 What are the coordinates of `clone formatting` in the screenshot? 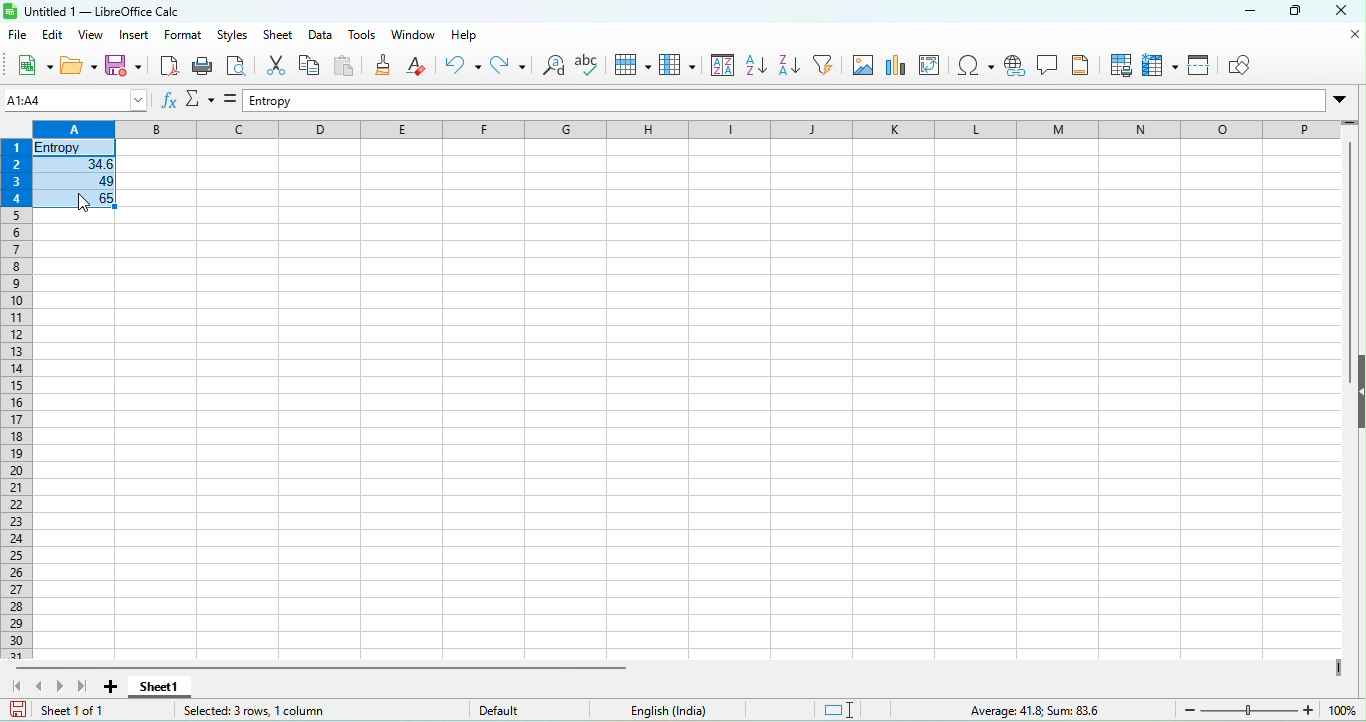 It's located at (385, 66).